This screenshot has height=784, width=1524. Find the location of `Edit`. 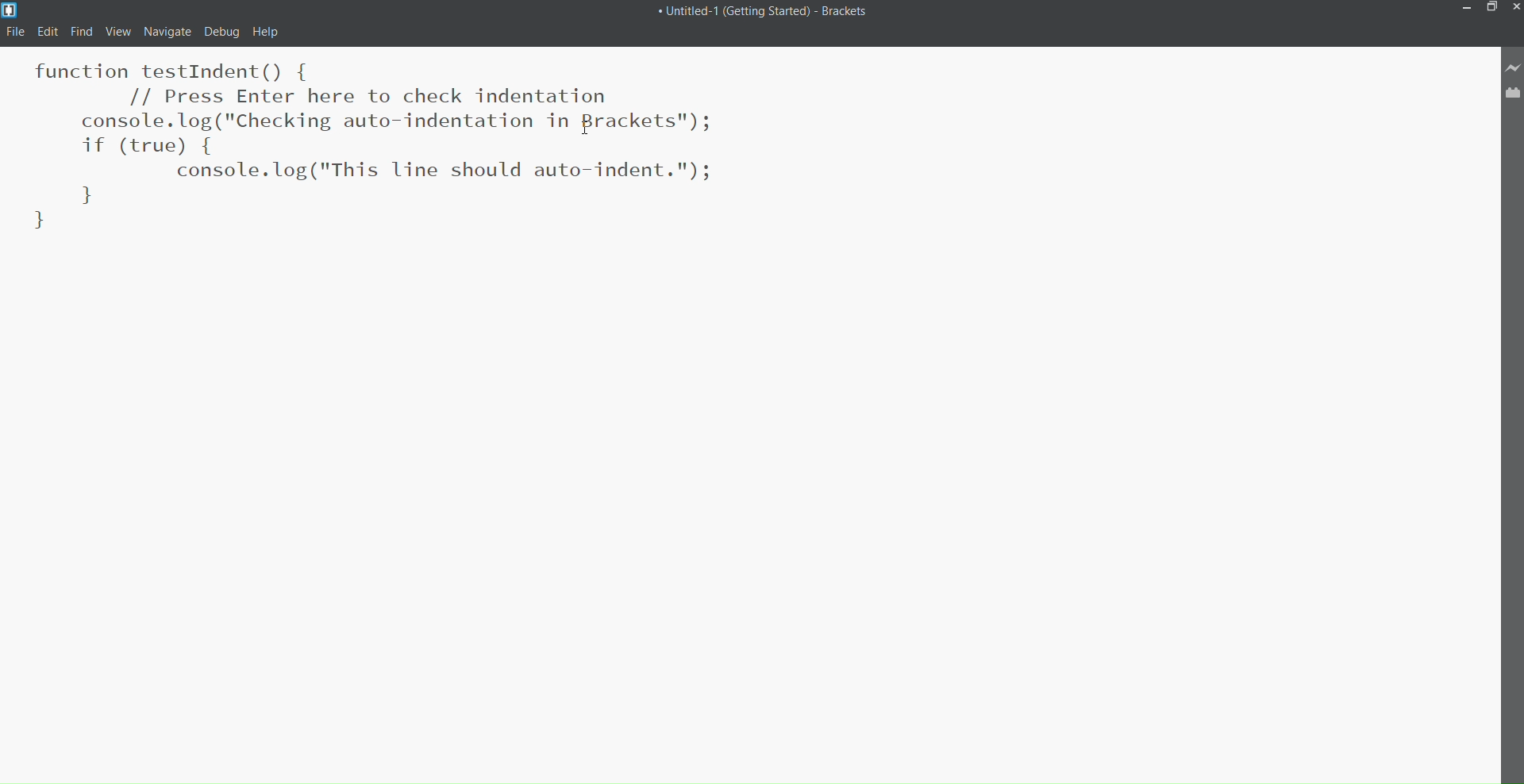

Edit is located at coordinates (49, 30).